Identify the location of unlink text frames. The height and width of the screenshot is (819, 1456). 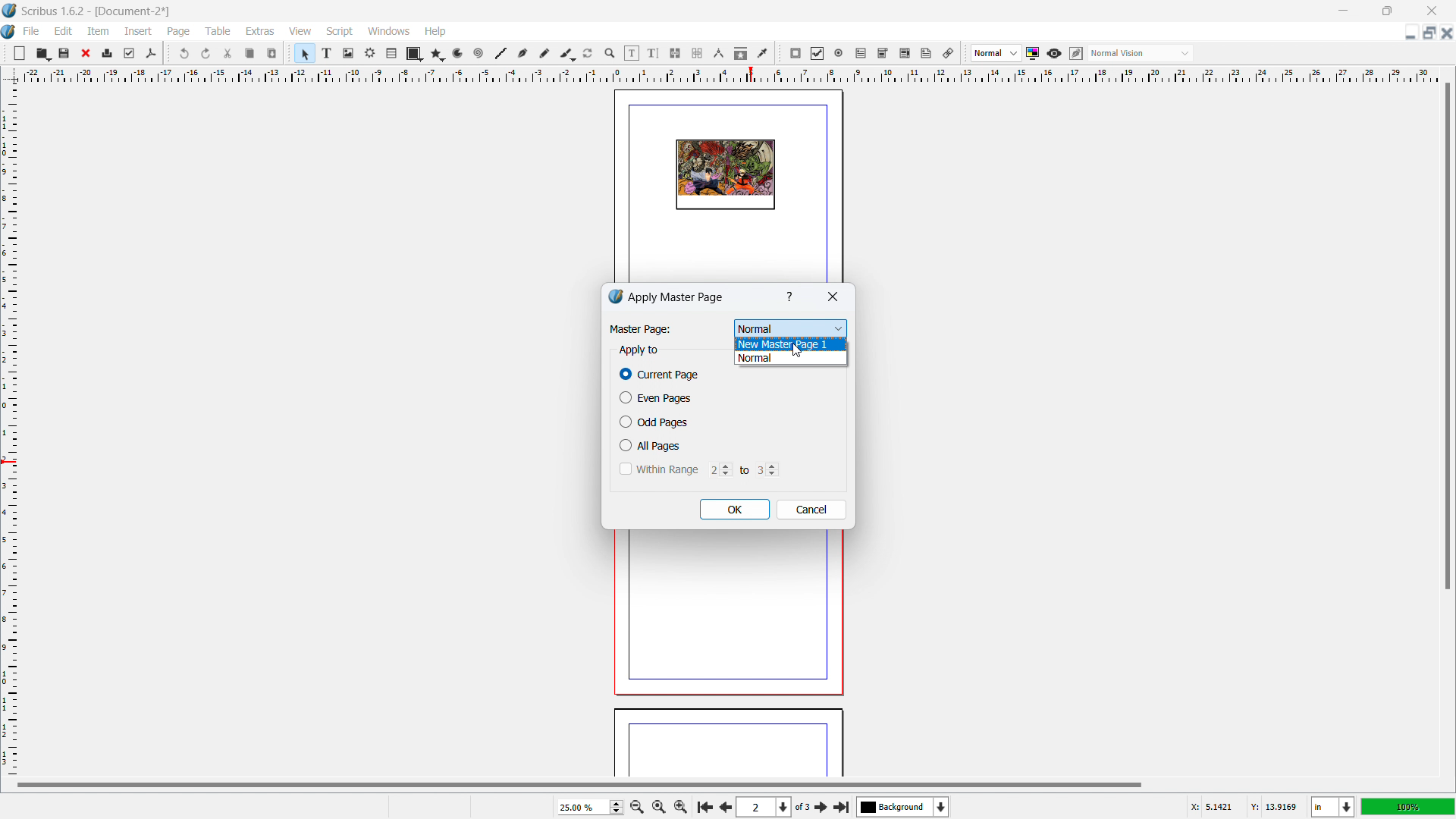
(697, 54).